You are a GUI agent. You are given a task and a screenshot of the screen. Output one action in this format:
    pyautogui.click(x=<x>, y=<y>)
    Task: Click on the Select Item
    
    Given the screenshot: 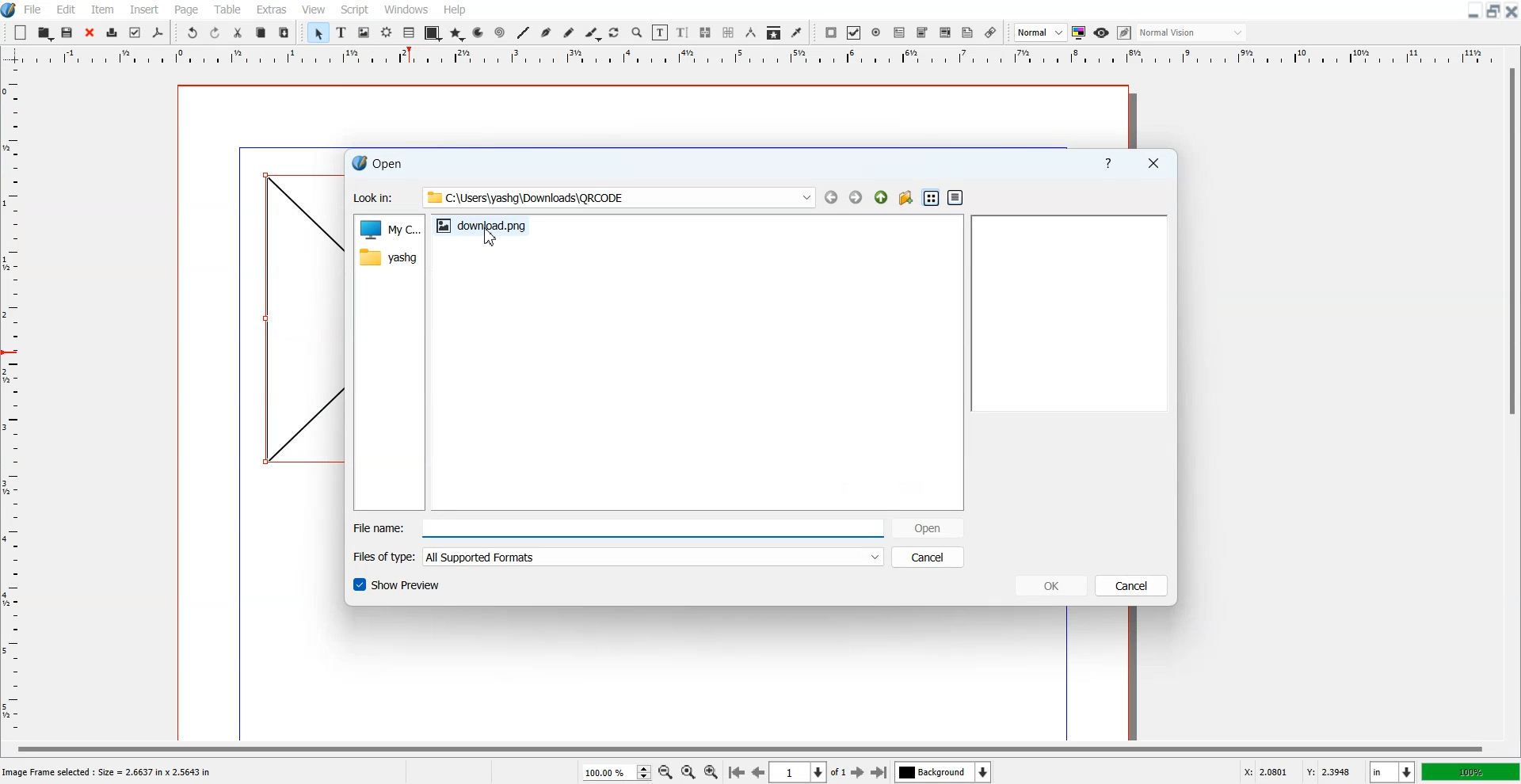 What is the action you would take?
    pyautogui.click(x=318, y=33)
    